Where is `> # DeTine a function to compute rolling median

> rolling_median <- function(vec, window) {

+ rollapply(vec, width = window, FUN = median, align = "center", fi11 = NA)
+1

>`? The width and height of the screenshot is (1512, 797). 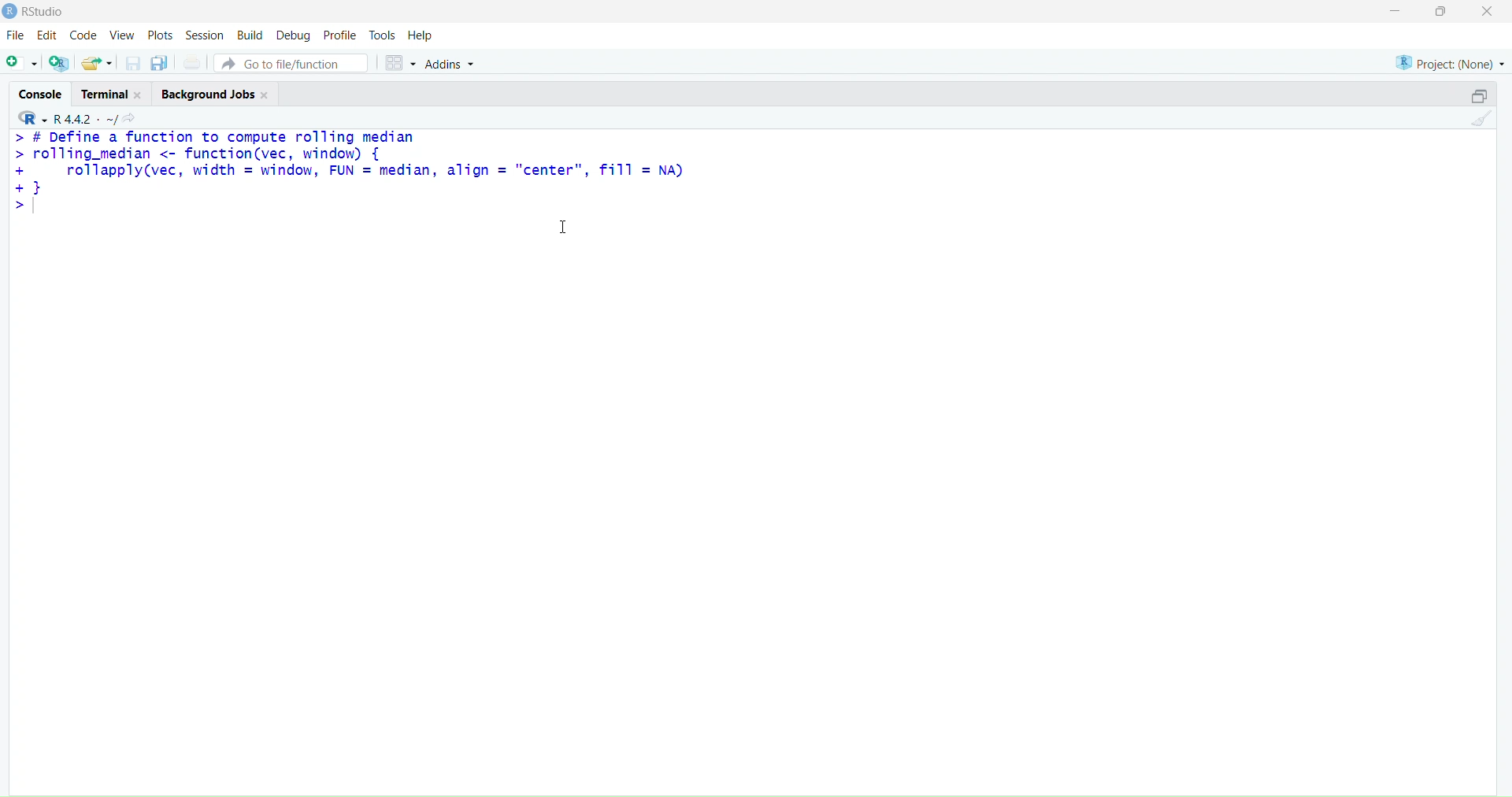 > # DeTine a function to compute rolling median

> rolling_median <- function(vec, window) {

+ rollapply(vec, width = window, FUN = median, align = "center", fi11 = NA)
+1

> is located at coordinates (349, 171).